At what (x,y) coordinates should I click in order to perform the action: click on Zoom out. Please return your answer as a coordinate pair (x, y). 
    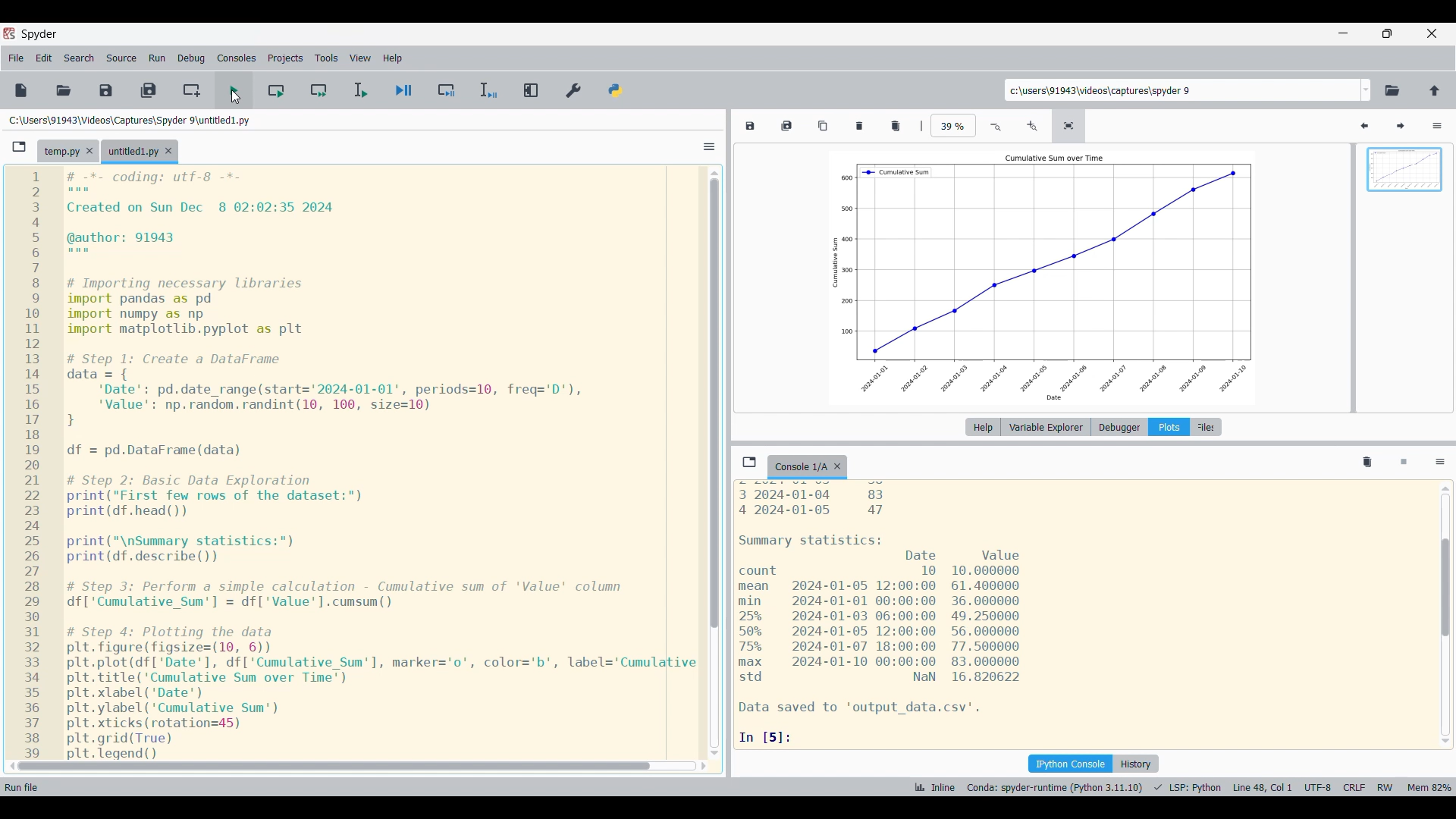
    Looking at the image, I should click on (996, 126).